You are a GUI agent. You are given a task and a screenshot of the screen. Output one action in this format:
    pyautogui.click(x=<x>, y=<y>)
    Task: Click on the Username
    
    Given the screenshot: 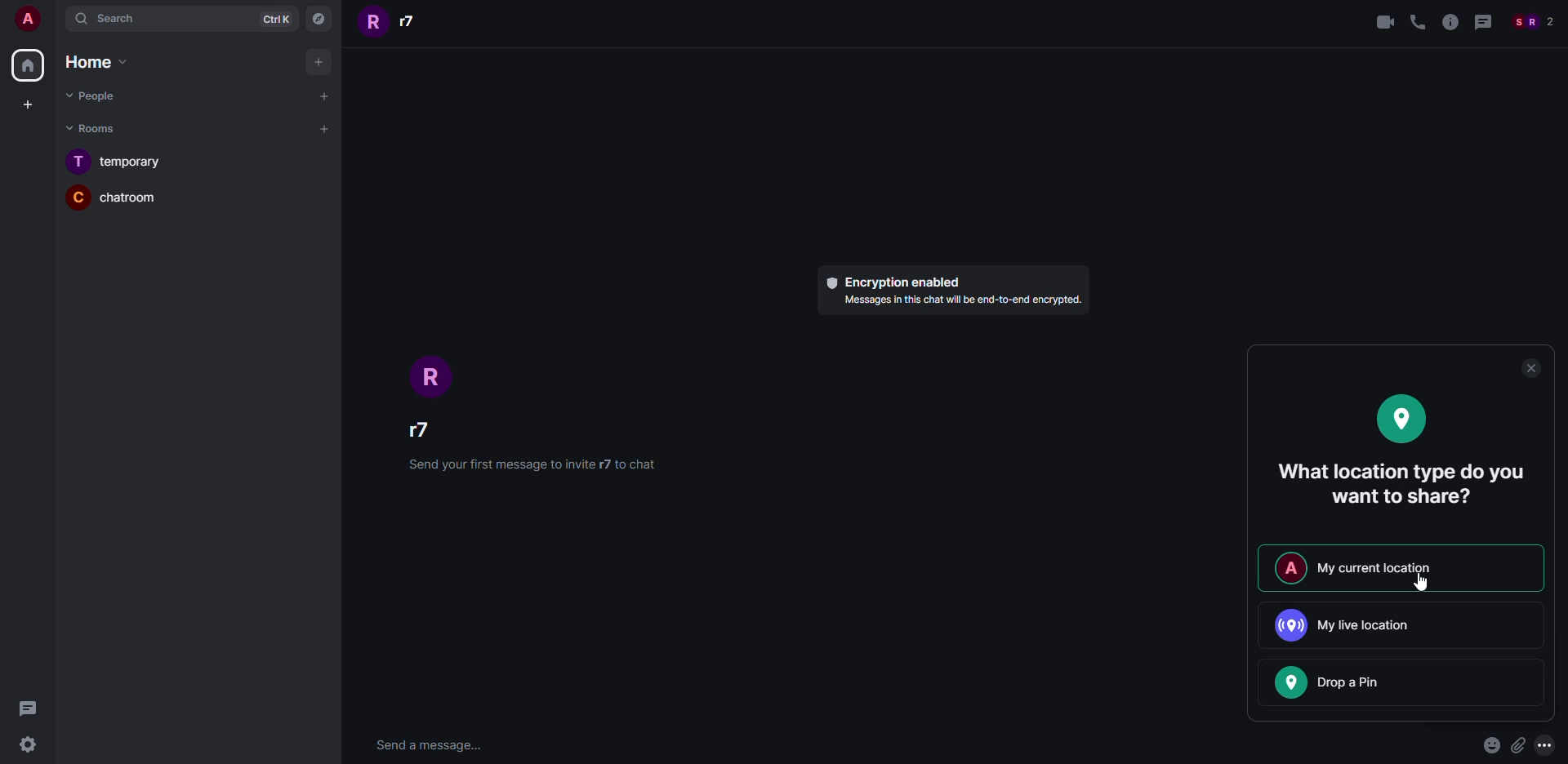 What is the action you would take?
    pyautogui.click(x=432, y=428)
    